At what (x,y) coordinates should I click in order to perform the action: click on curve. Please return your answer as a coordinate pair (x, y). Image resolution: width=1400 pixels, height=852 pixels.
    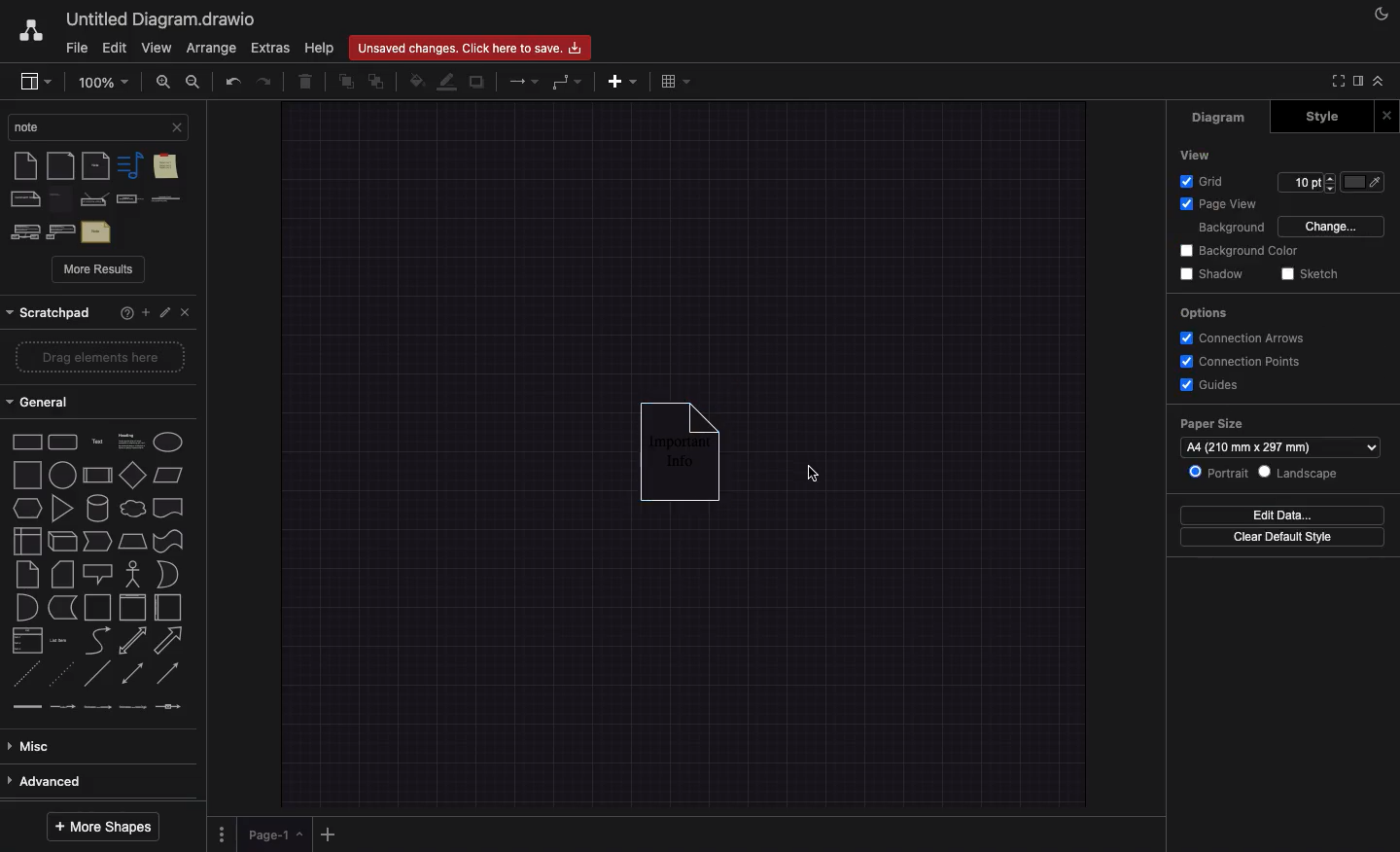
    Looking at the image, I should click on (97, 642).